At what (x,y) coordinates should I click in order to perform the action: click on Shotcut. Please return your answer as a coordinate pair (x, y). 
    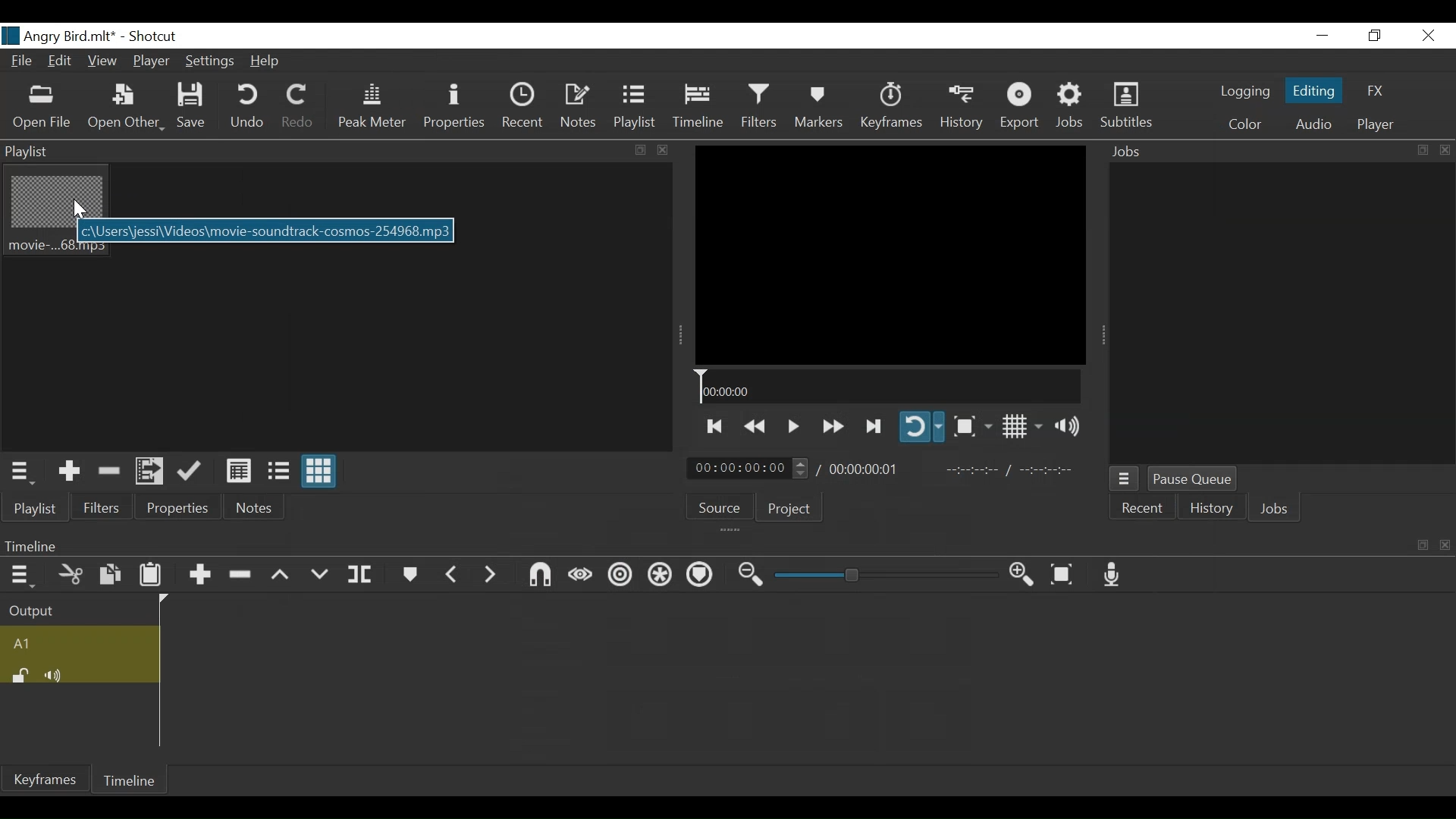
    Looking at the image, I should click on (154, 37).